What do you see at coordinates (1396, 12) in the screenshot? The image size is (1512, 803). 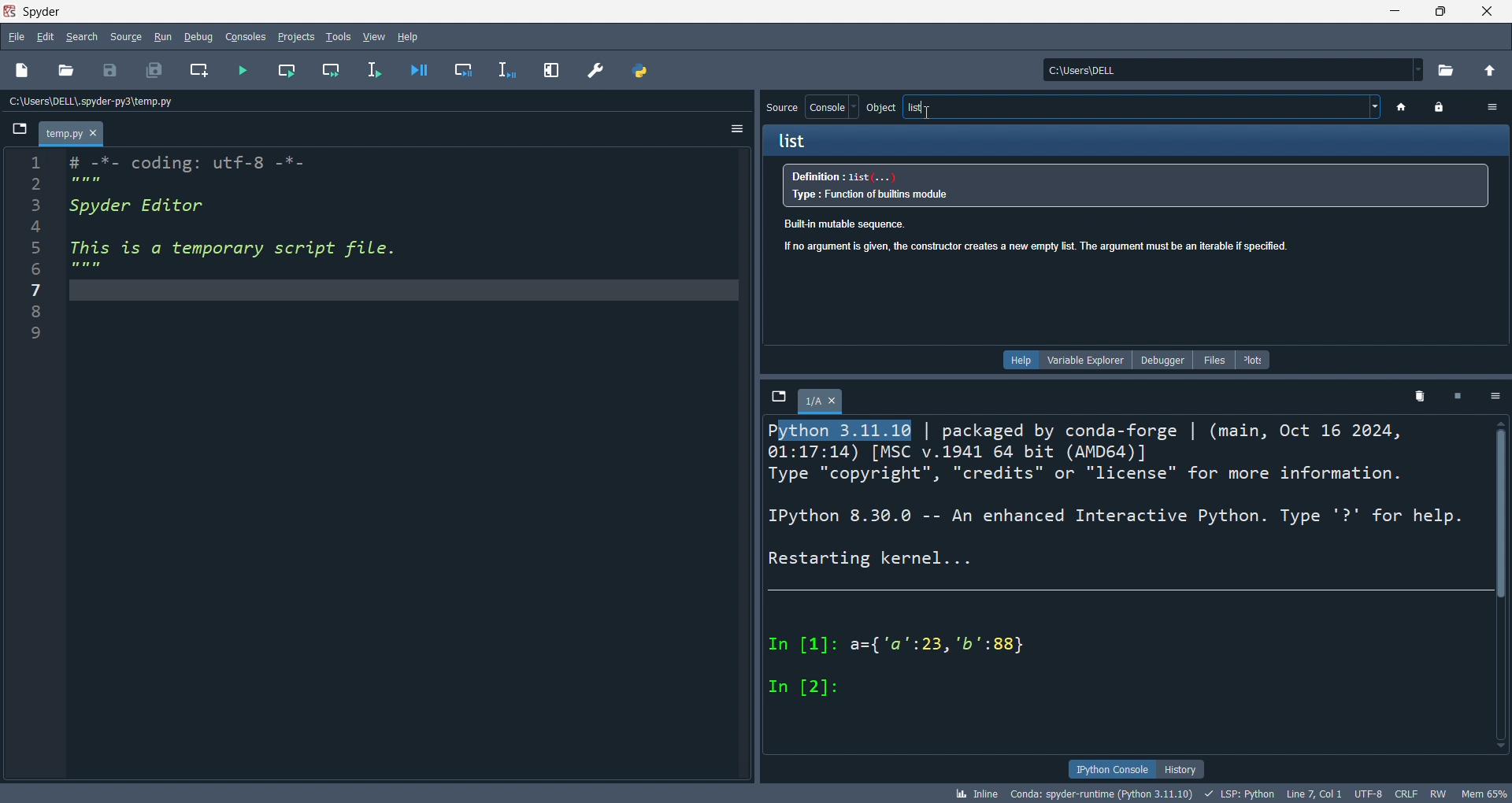 I see `minimize` at bounding box center [1396, 12].